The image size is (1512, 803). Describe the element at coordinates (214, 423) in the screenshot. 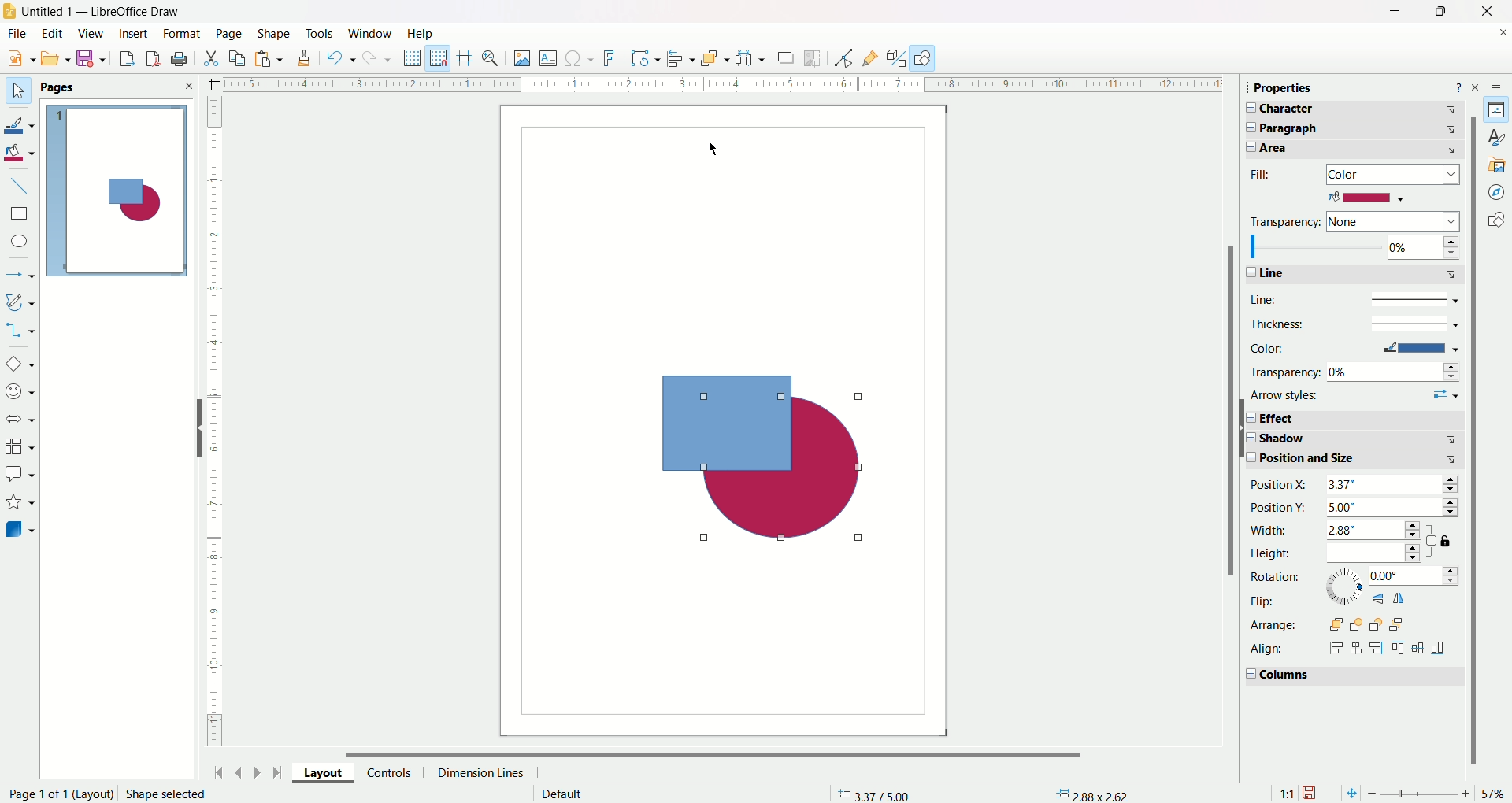

I see `vertical ruler` at that location.